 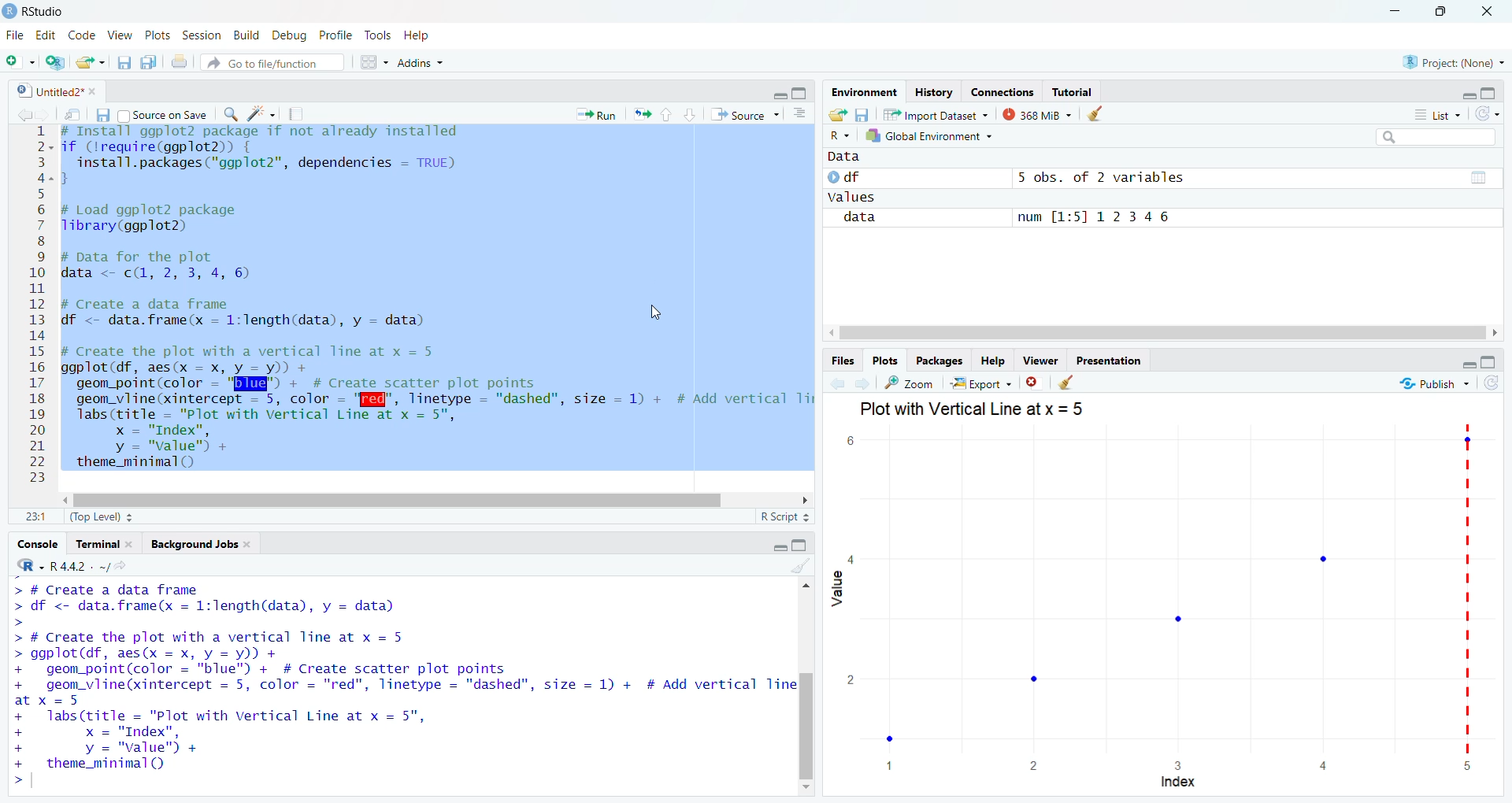 I want to click on next, so click(x=869, y=384).